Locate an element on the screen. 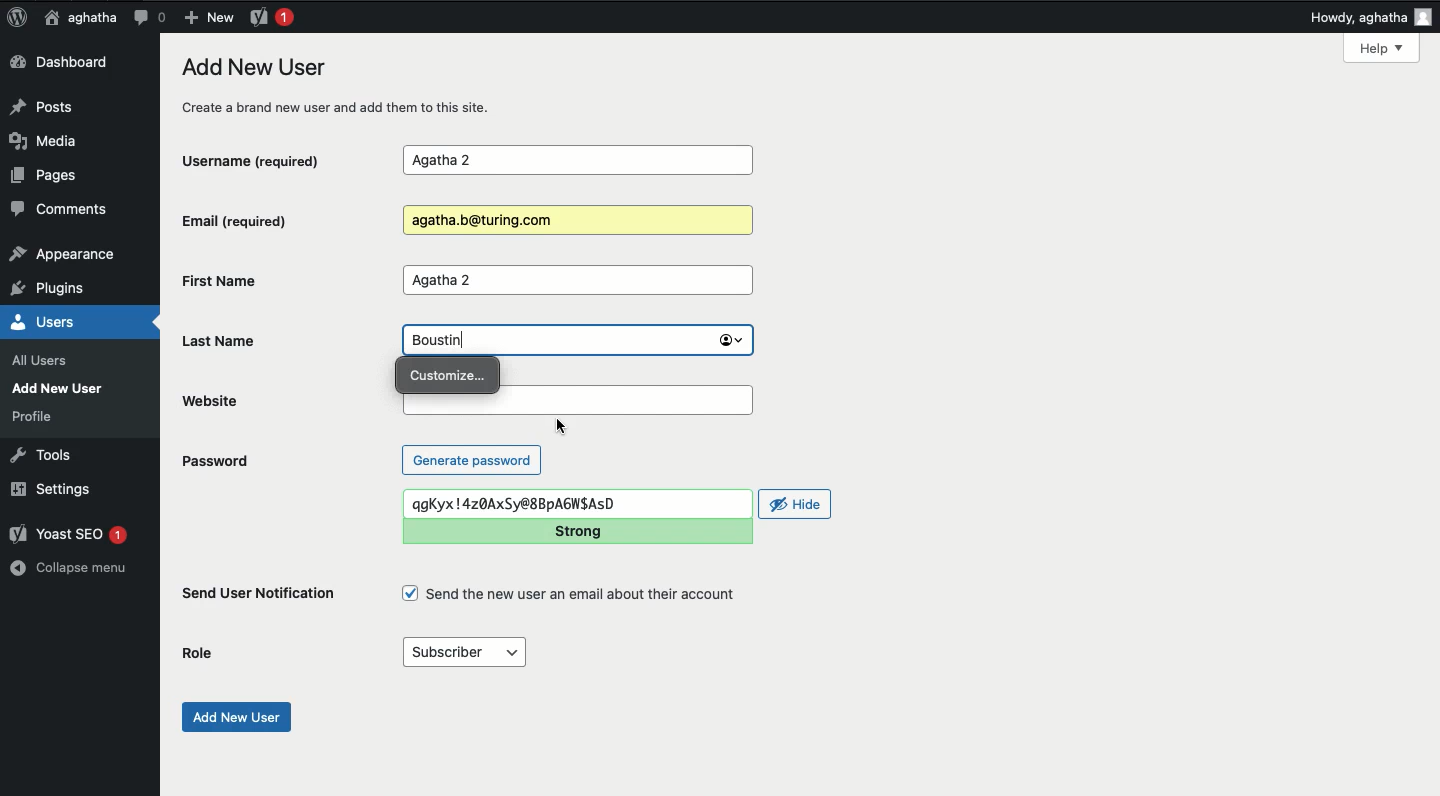 Image resolution: width=1440 pixels, height=796 pixels. Username (required) is located at coordinates (269, 159).